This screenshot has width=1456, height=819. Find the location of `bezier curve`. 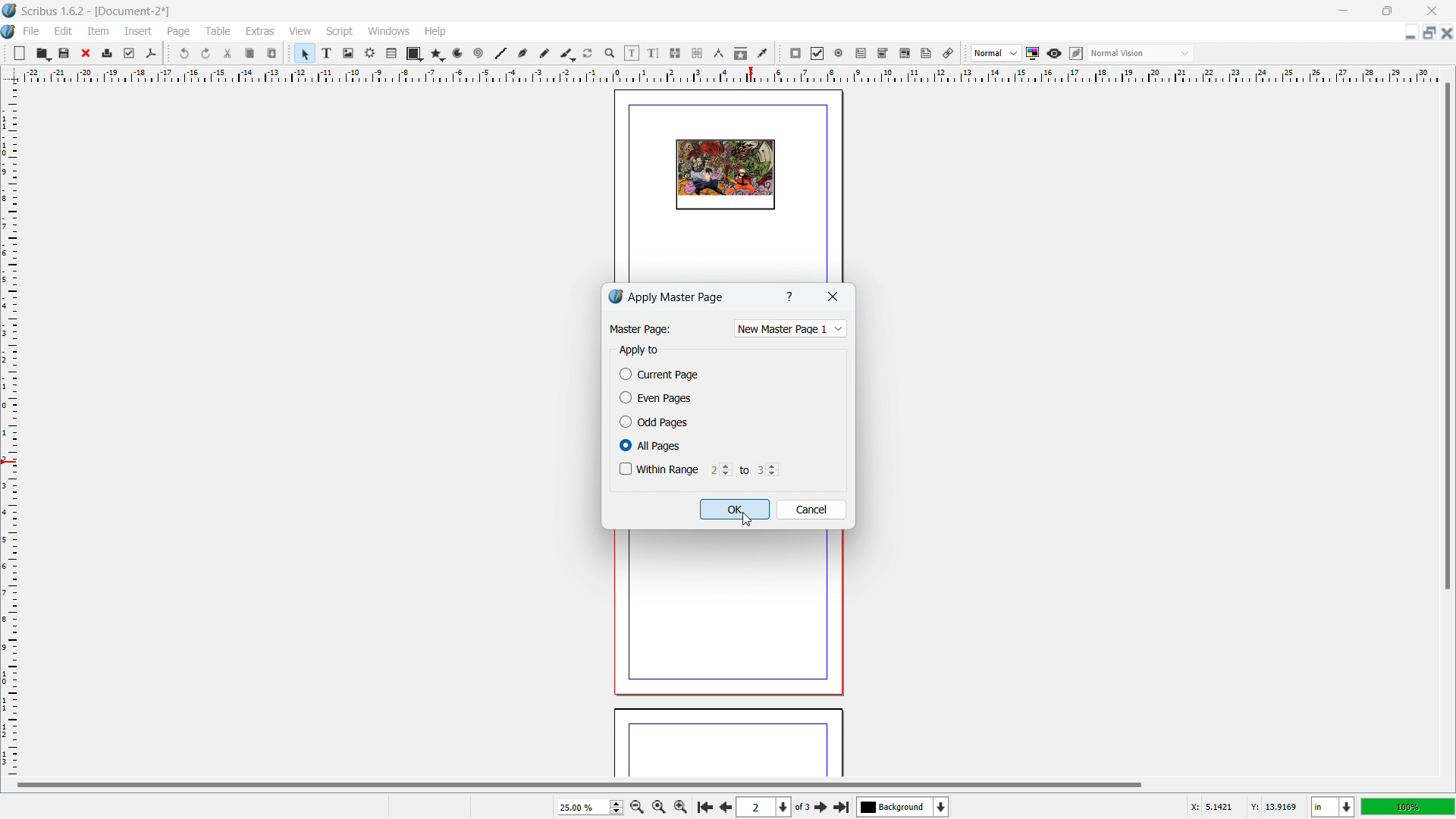

bezier curve is located at coordinates (522, 54).